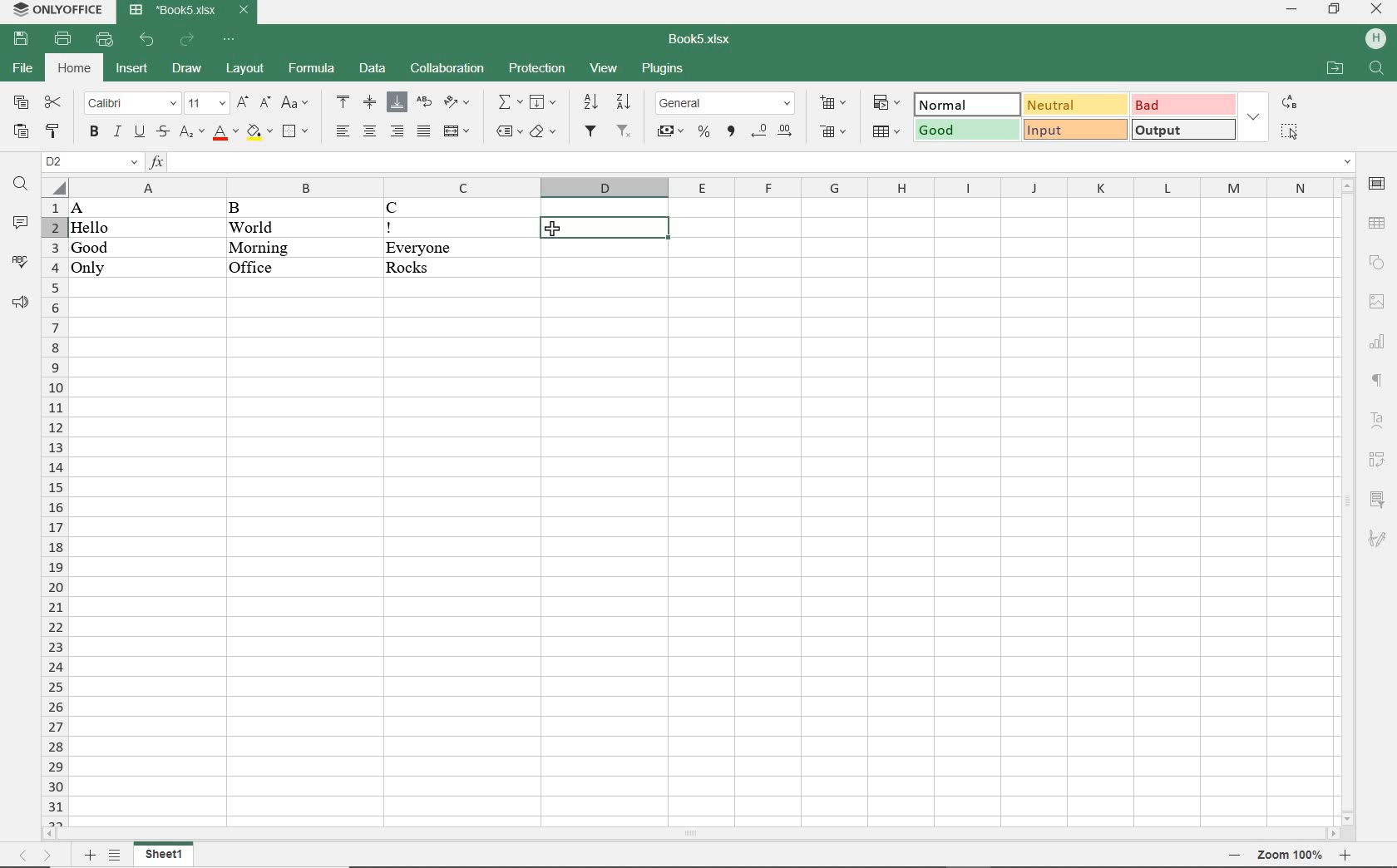 The image size is (1397, 868). I want to click on summation, so click(508, 102).